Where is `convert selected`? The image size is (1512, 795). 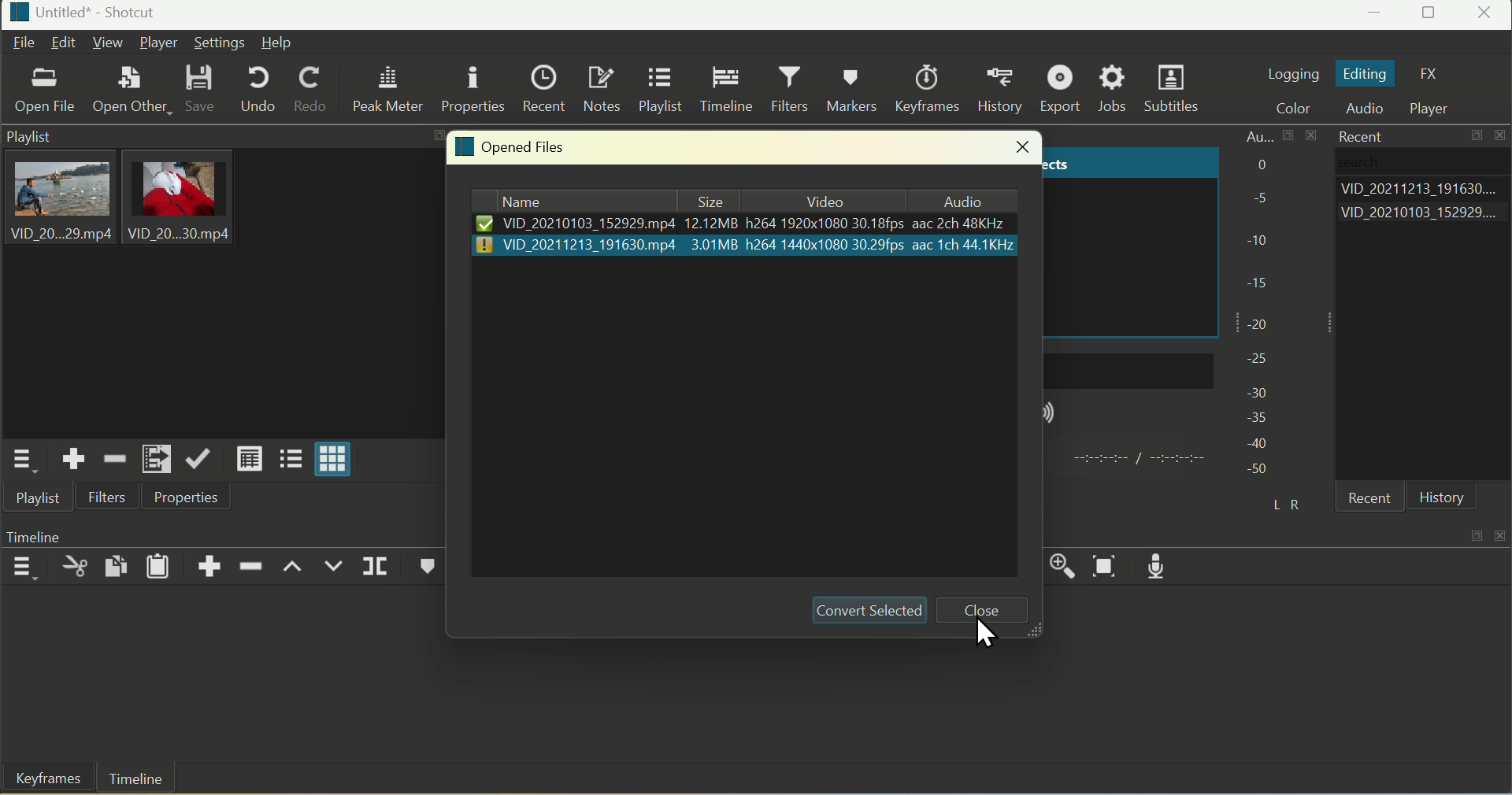 convert selected is located at coordinates (865, 611).